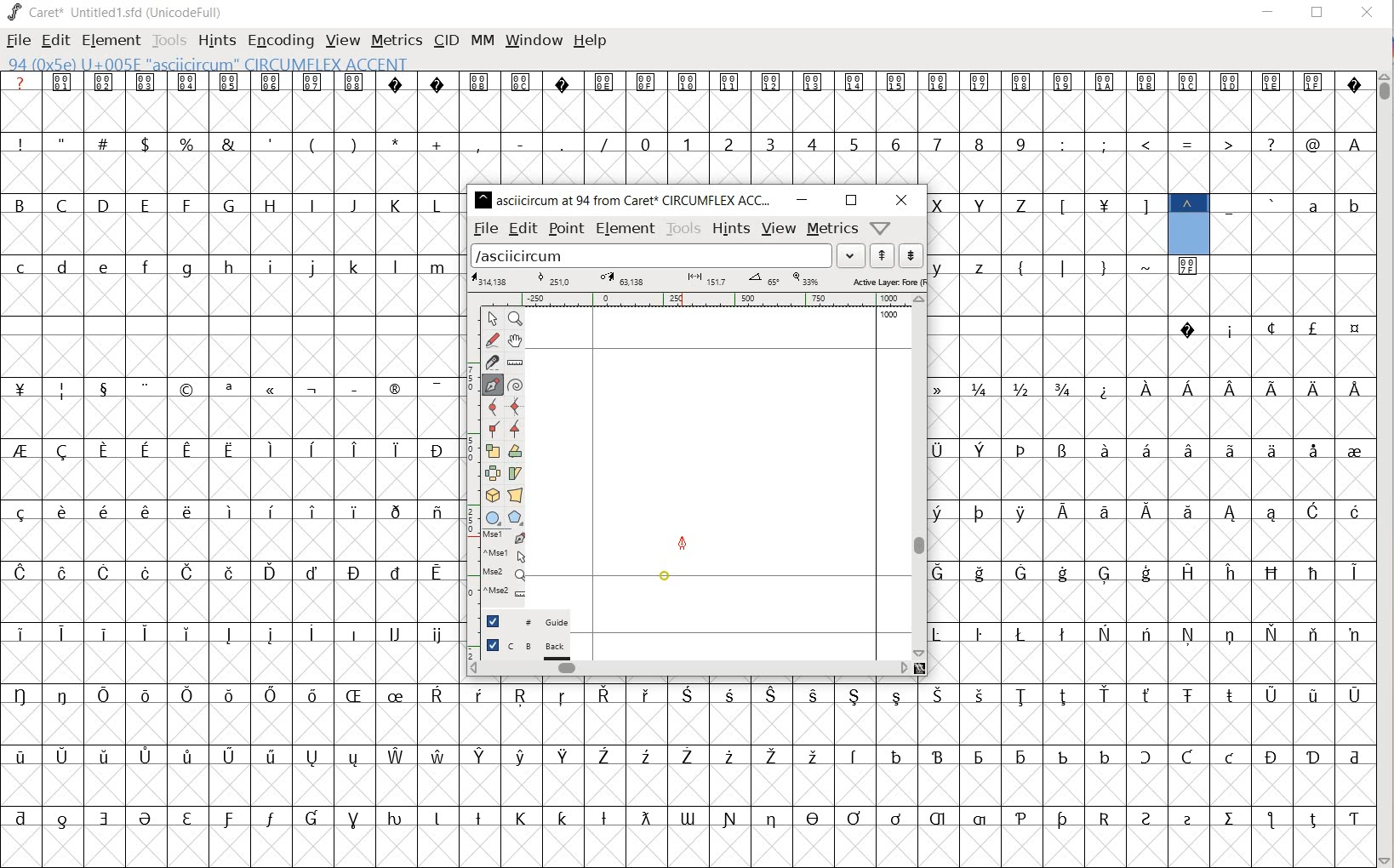 This screenshot has width=1394, height=868. What do you see at coordinates (910, 254) in the screenshot?
I see `show the previous word on the list` at bounding box center [910, 254].